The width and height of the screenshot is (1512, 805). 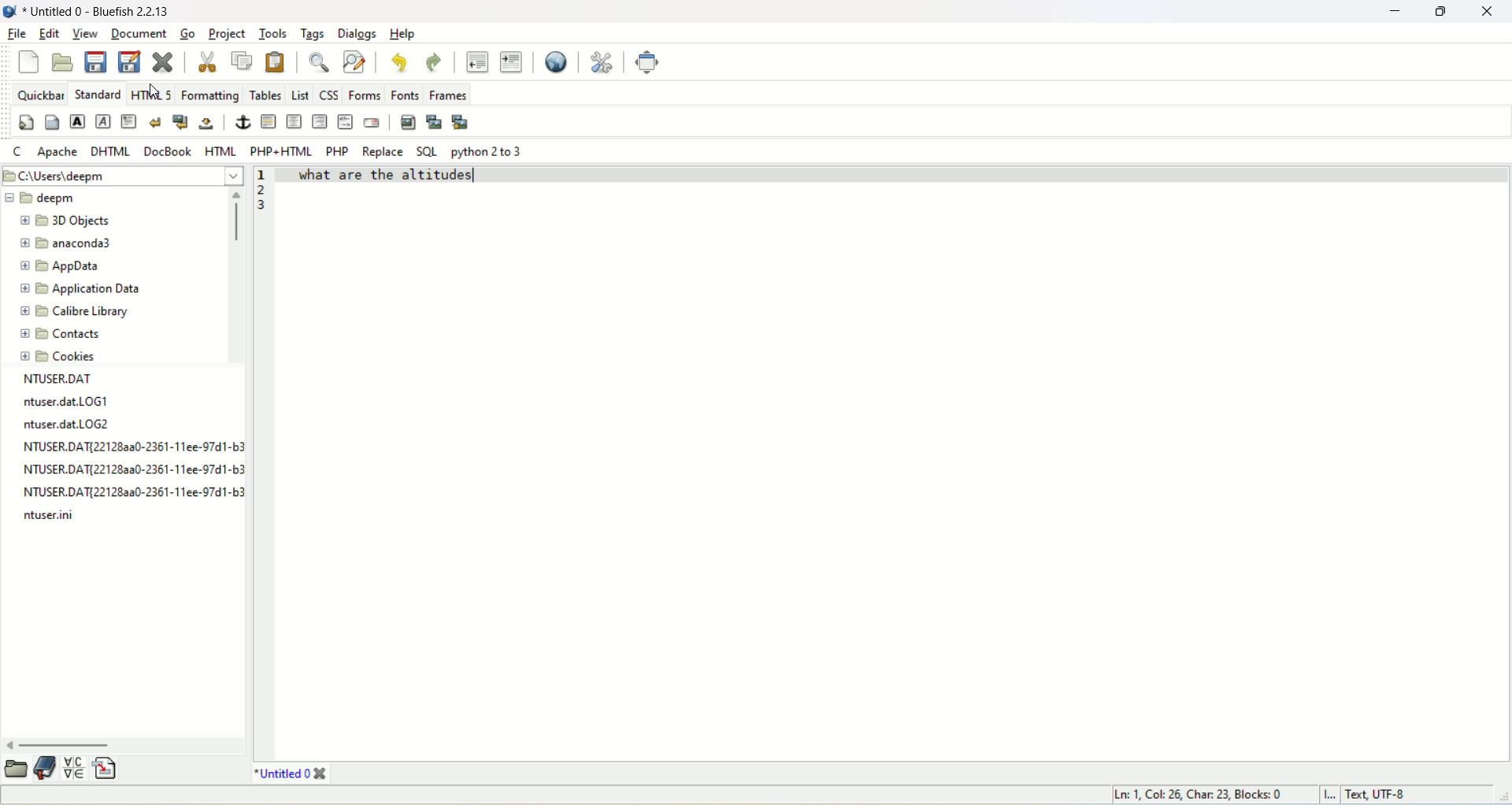 I want to click on edit, so click(x=48, y=35).